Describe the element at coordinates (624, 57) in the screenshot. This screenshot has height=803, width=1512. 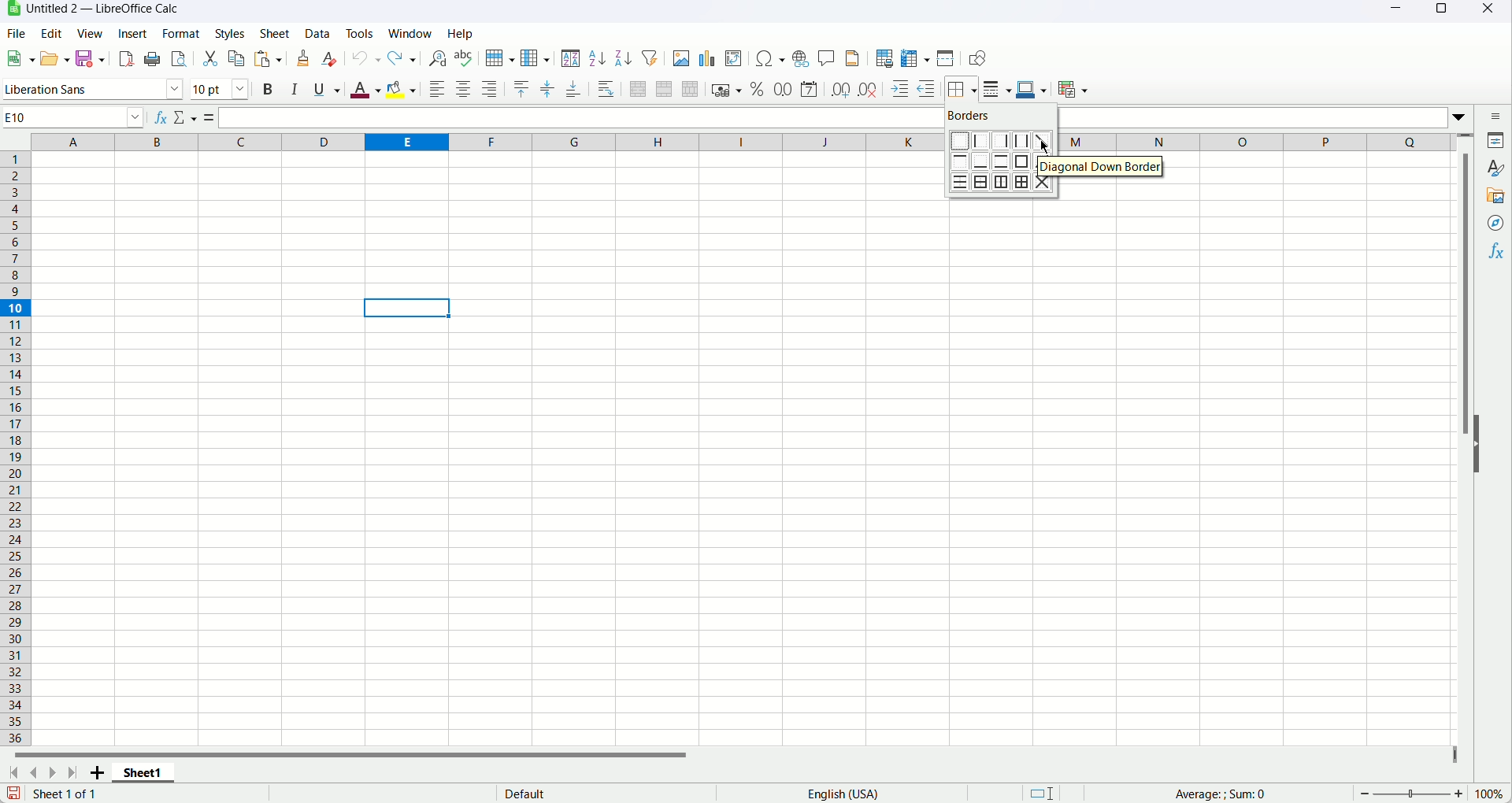
I see `Sort descending` at that location.